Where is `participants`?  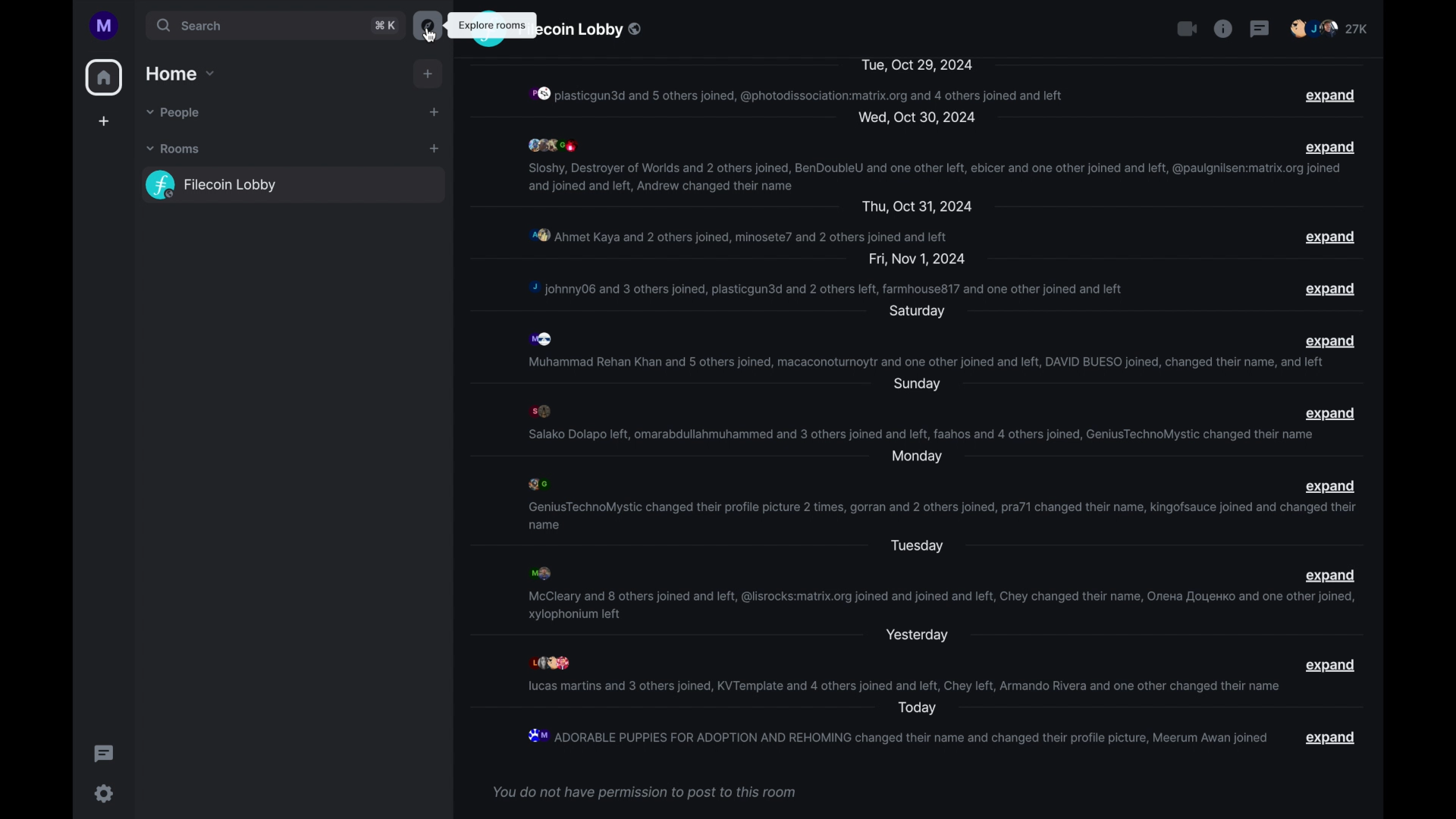
participants is located at coordinates (553, 662).